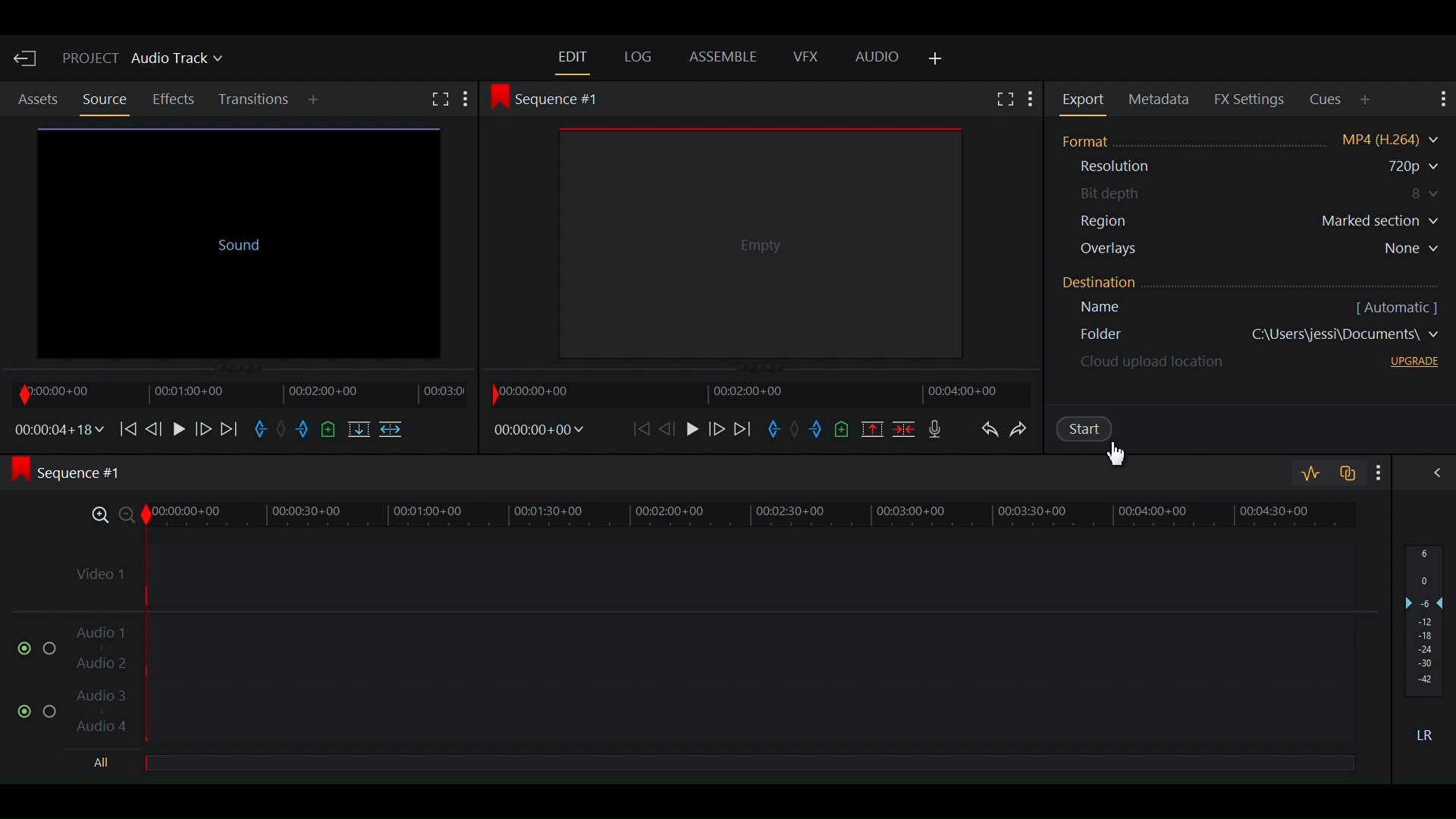 The height and width of the screenshot is (819, 1456). What do you see at coordinates (1120, 286) in the screenshot?
I see `Destination` at bounding box center [1120, 286].